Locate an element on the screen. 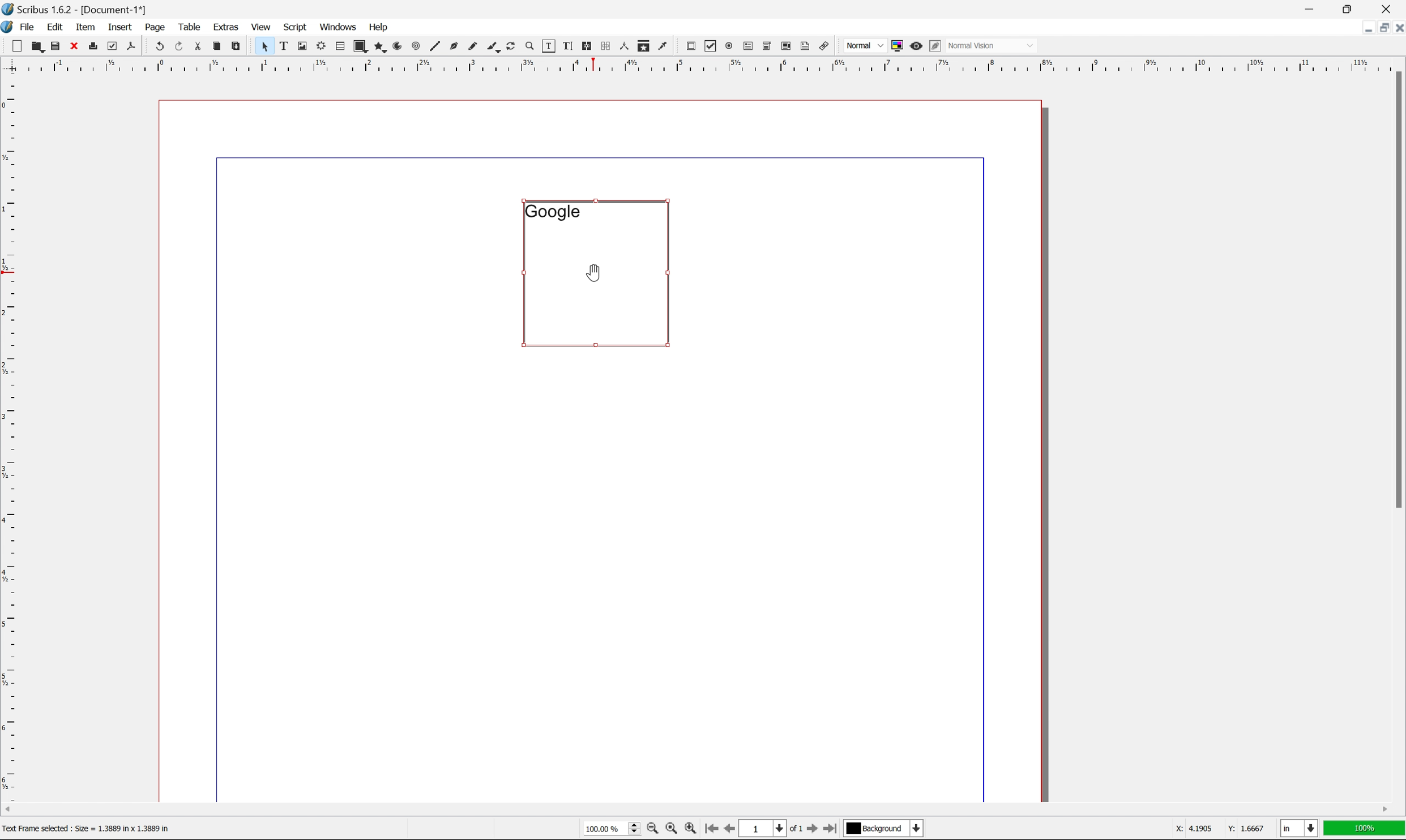 The width and height of the screenshot is (1406, 840). pdf push button is located at coordinates (687, 45).